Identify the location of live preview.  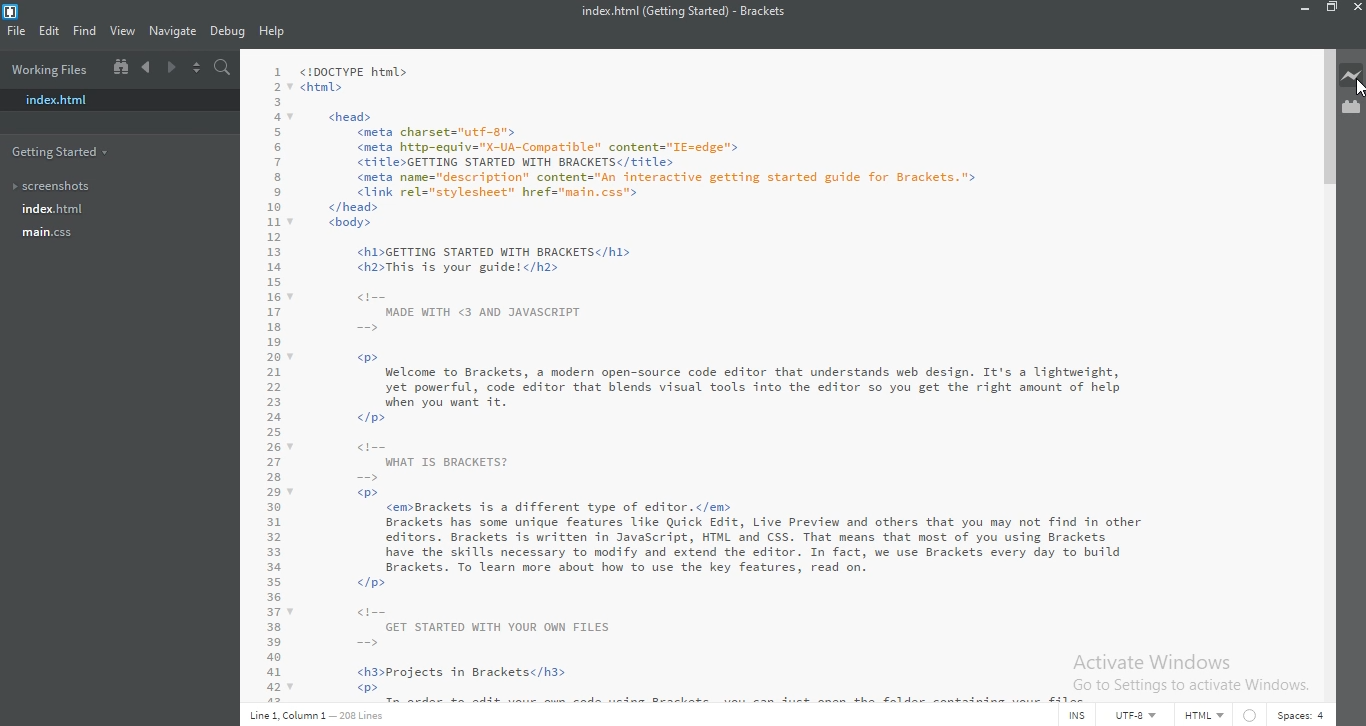
(1351, 73).